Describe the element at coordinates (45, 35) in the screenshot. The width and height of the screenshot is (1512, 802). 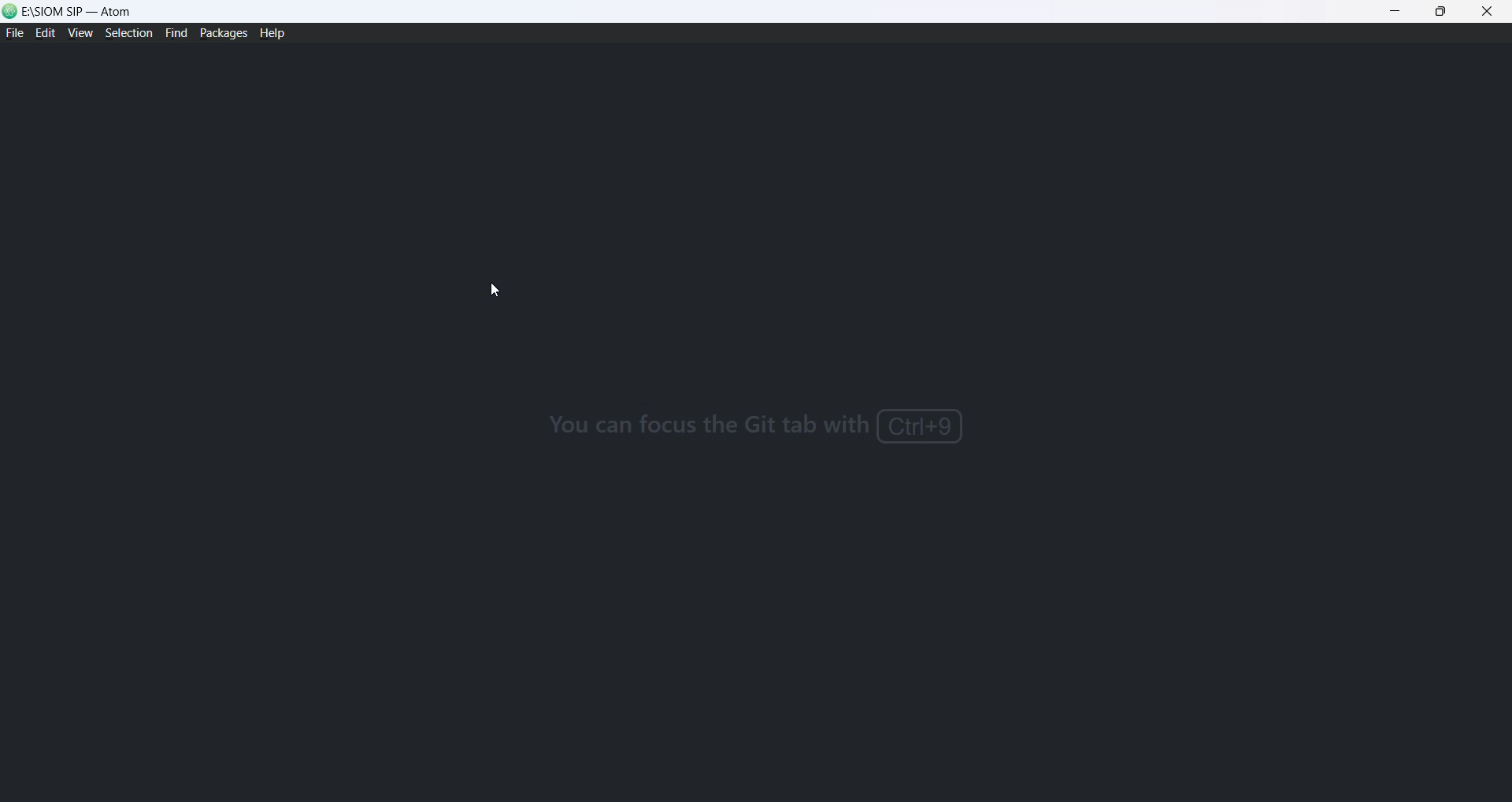
I see `edit` at that location.